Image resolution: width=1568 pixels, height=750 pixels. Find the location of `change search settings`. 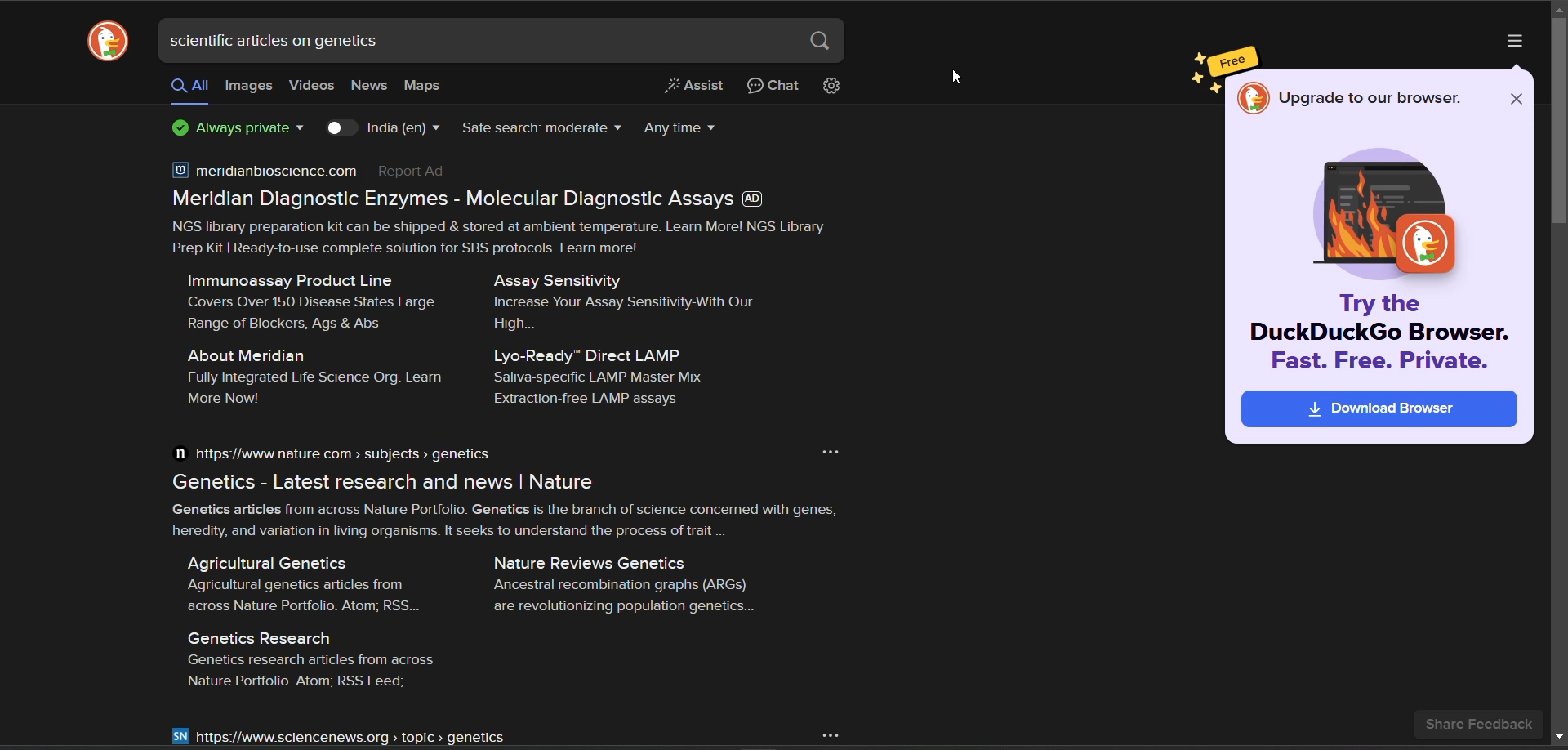

change search settings is located at coordinates (831, 87).